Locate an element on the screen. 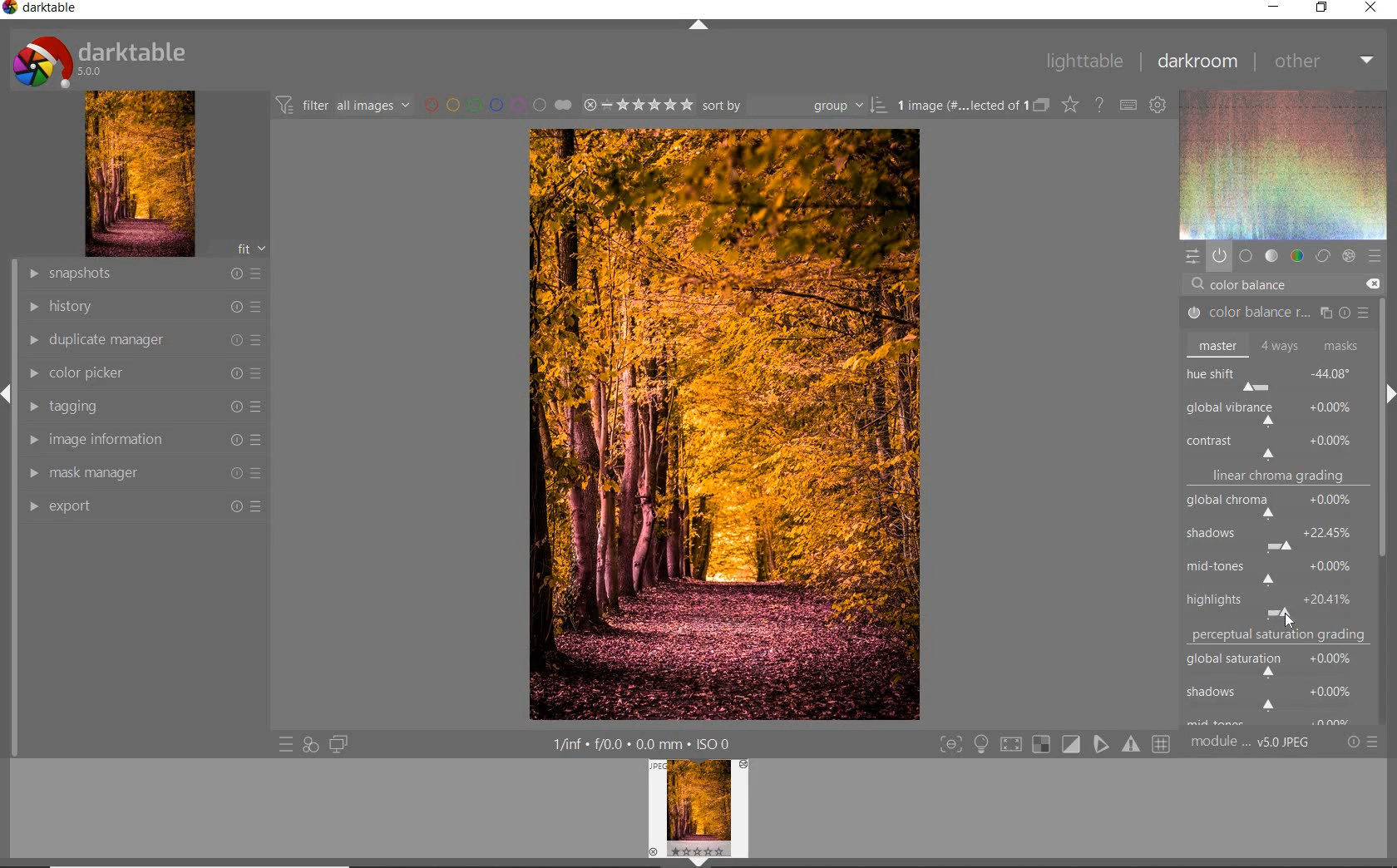  other is located at coordinates (1325, 62).